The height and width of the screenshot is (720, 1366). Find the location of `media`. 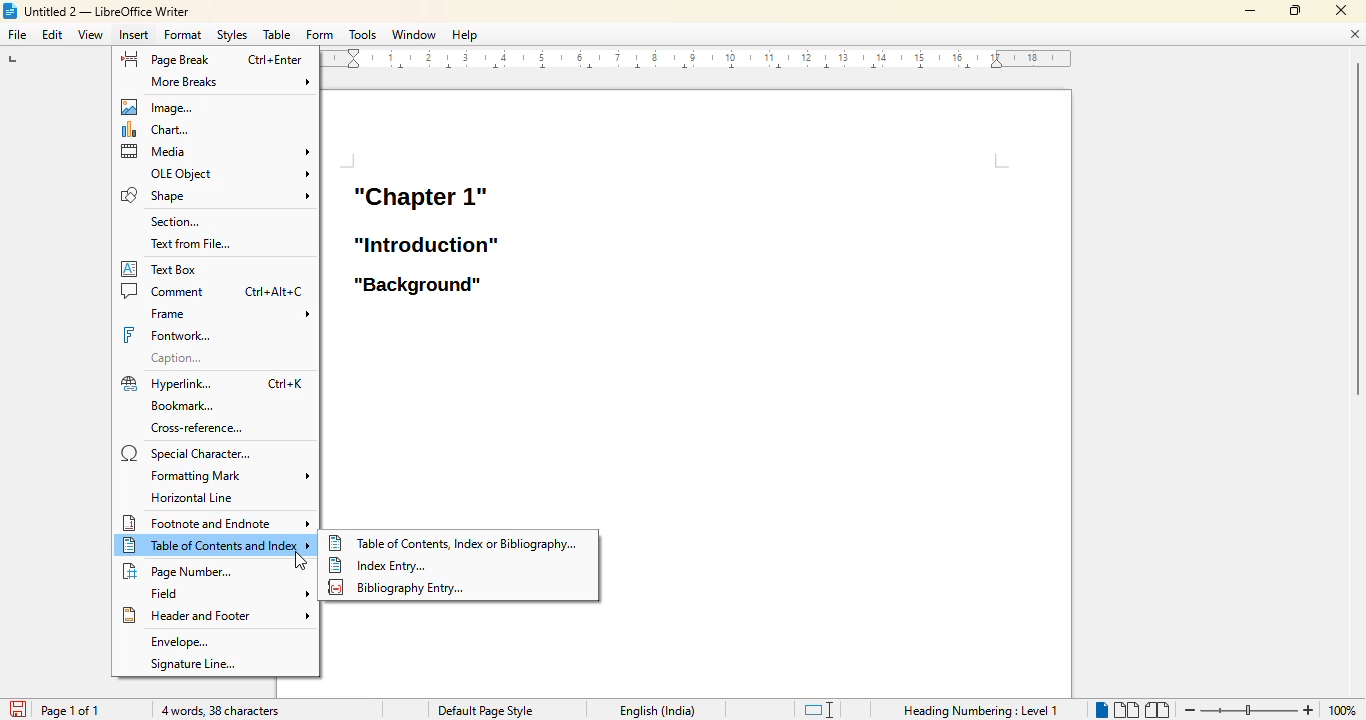

media is located at coordinates (216, 152).